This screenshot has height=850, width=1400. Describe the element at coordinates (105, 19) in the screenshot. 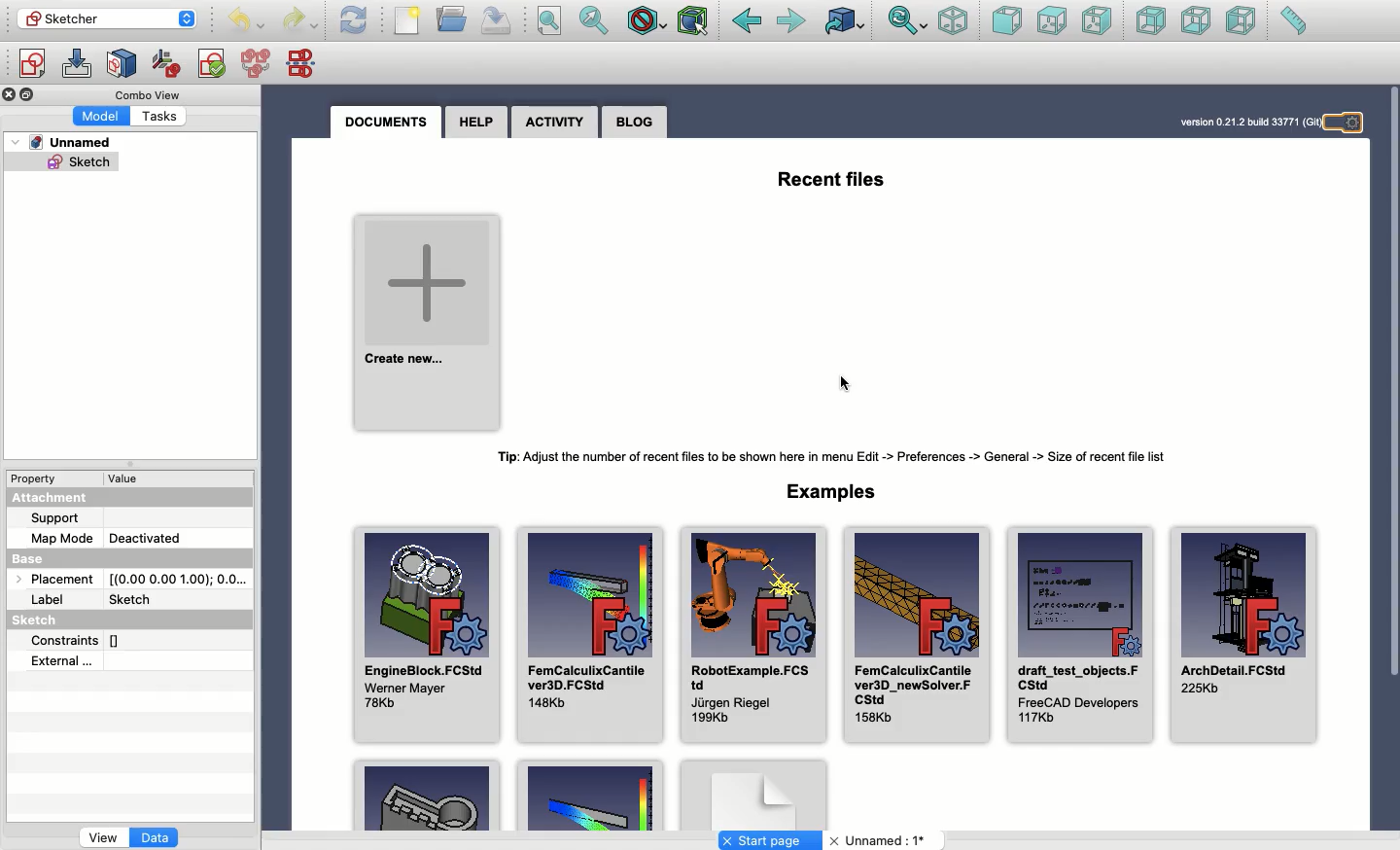

I see `Sketcher` at that location.